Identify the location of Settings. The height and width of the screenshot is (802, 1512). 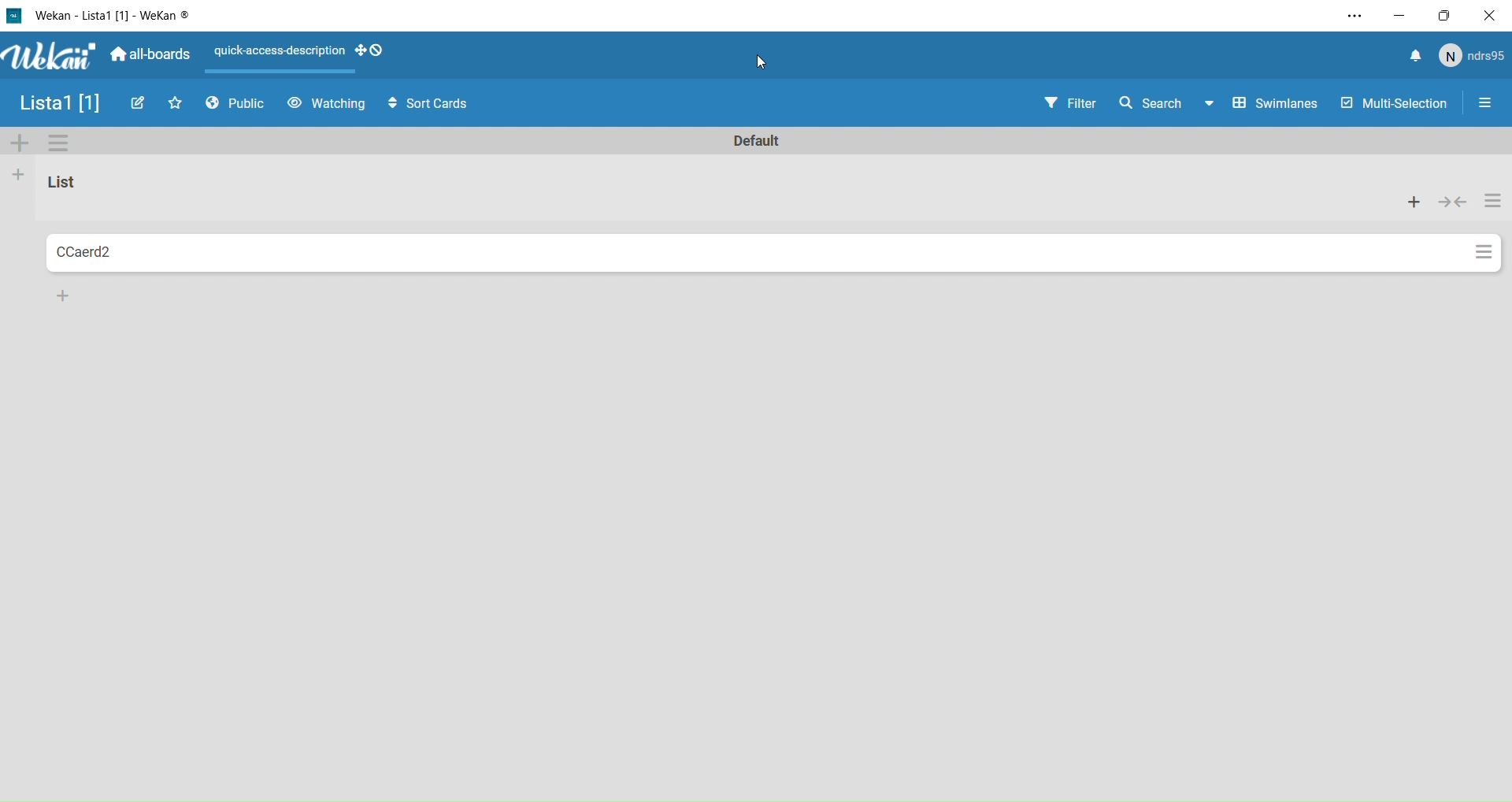
(1494, 202).